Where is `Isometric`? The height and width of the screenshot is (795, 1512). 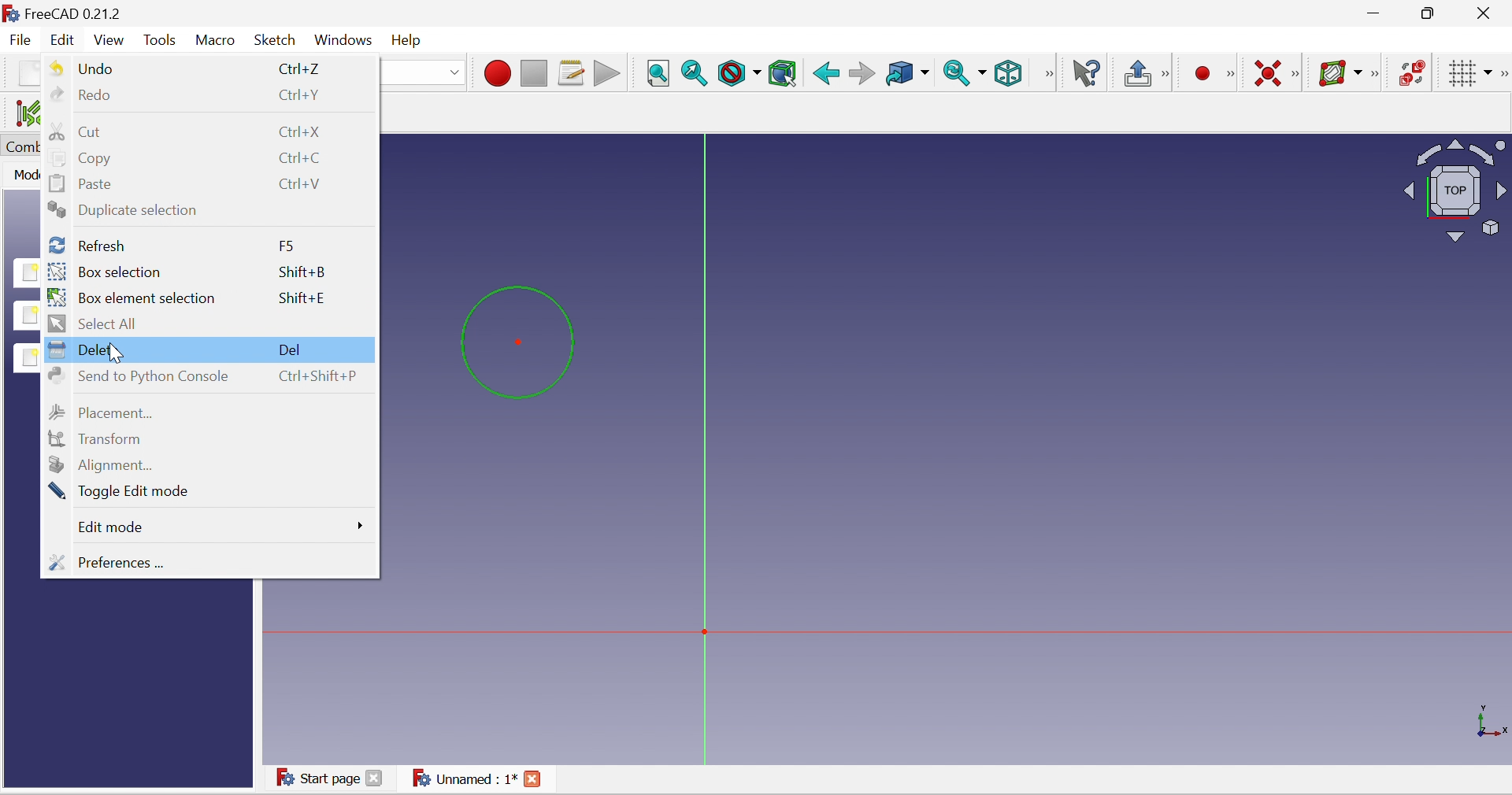
Isometric is located at coordinates (1007, 73).